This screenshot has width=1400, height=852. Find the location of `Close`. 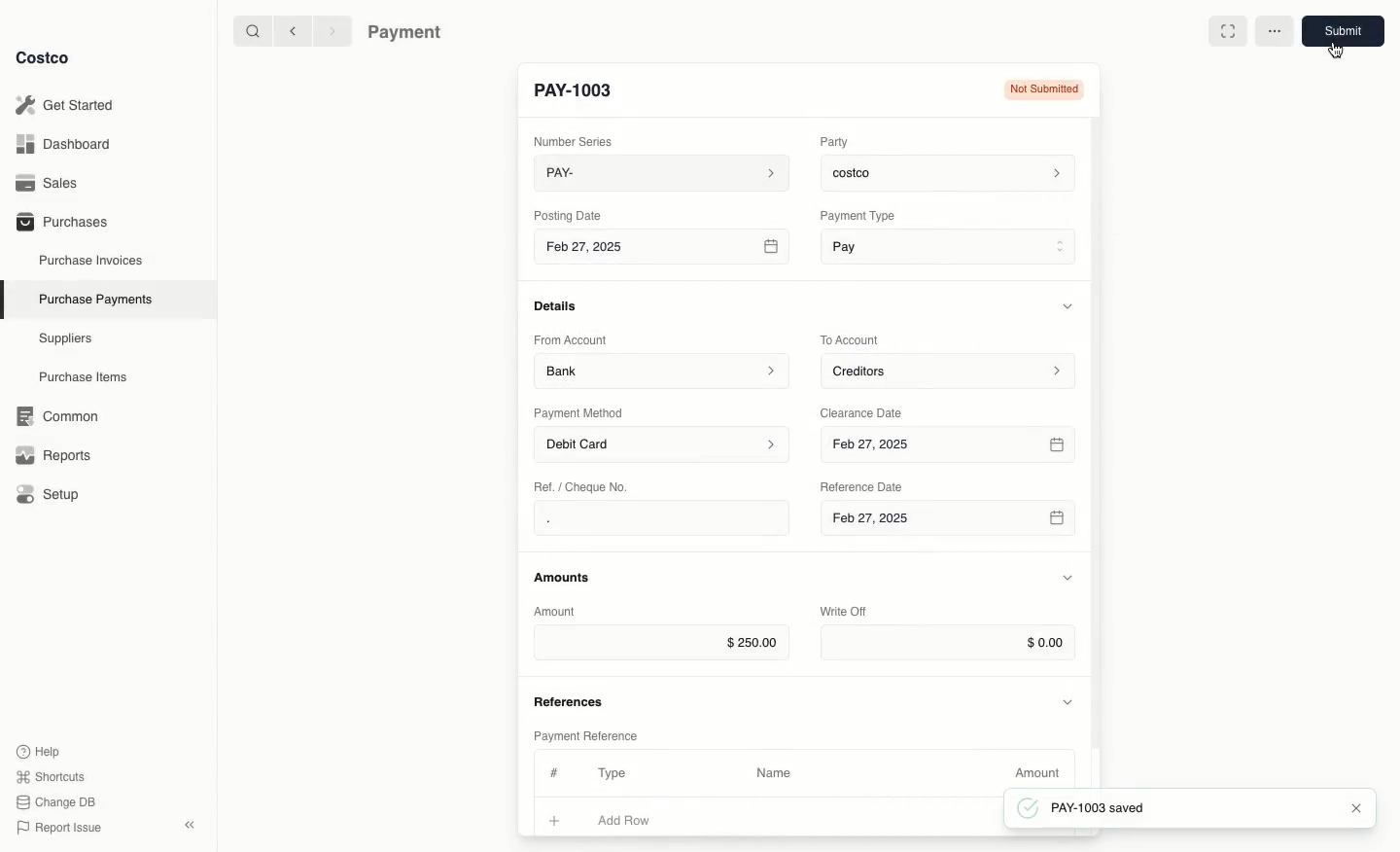

Close is located at coordinates (1354, 808).